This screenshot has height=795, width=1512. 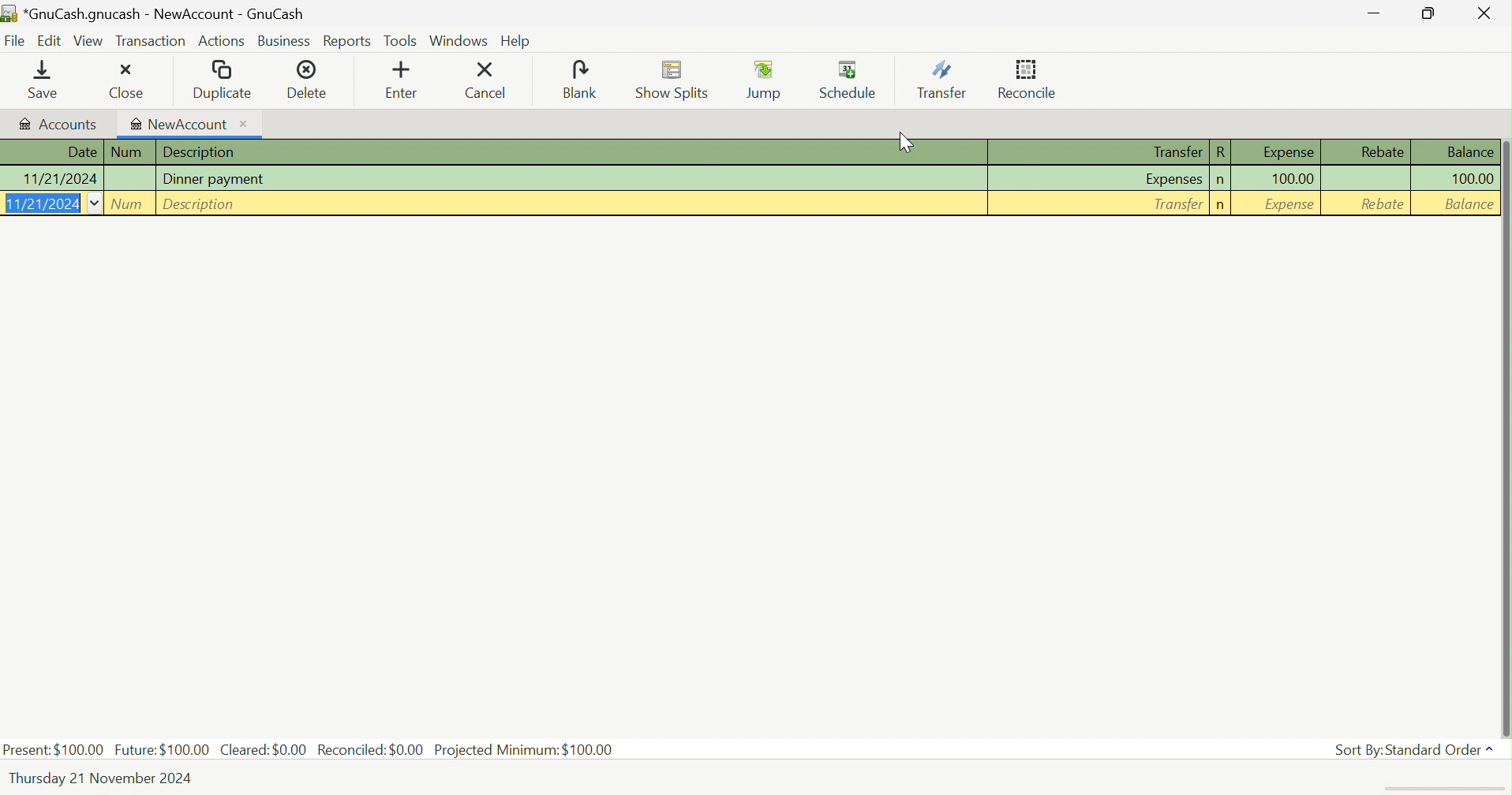 I want to click on Close, so click(x=121, y=80).